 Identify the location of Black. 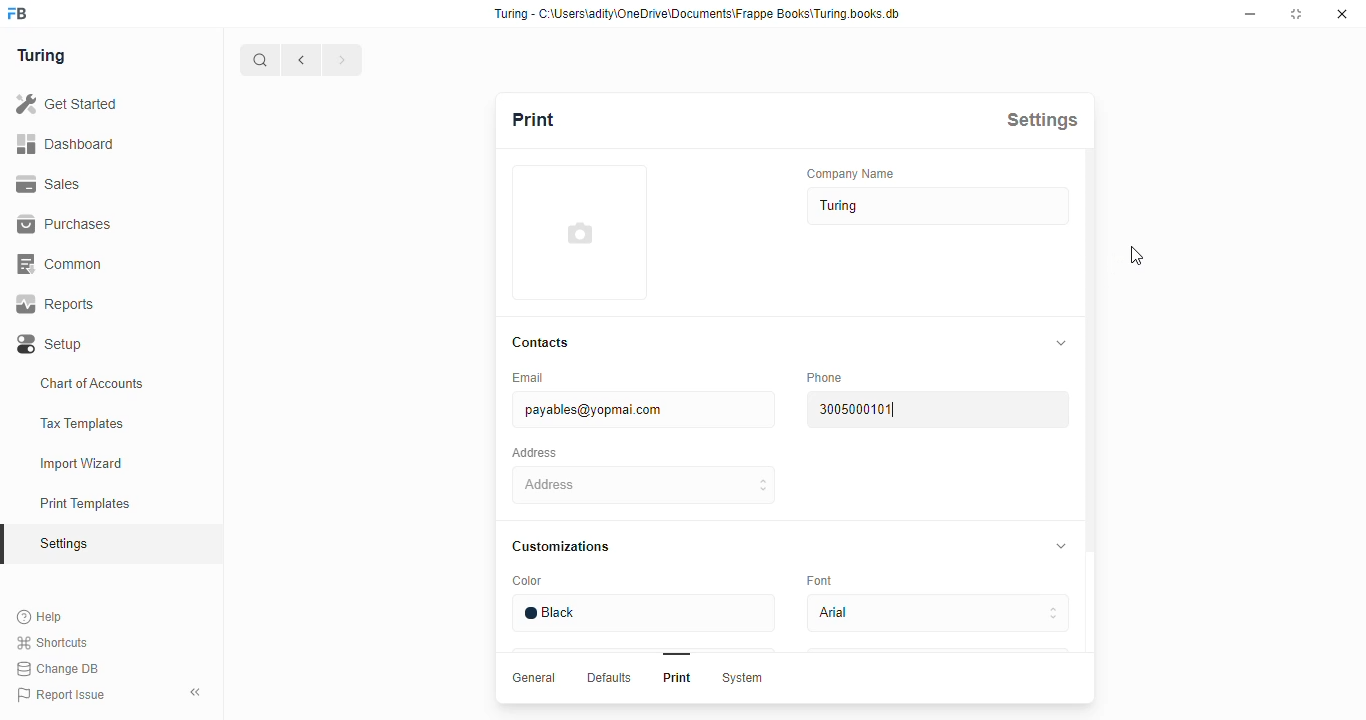
(638, 612).